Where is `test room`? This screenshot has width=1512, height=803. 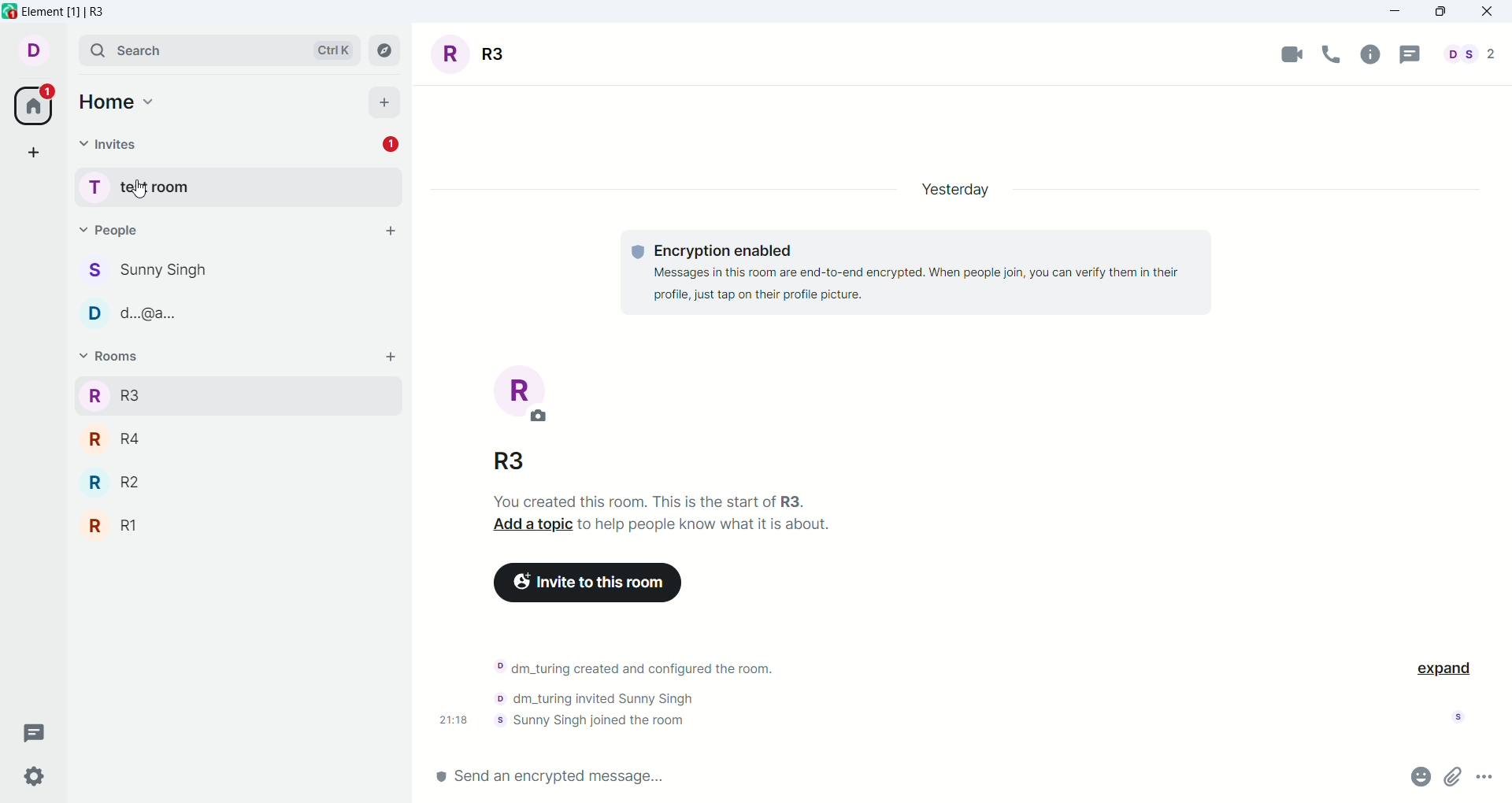
test room is located at coordinates (234, 186).